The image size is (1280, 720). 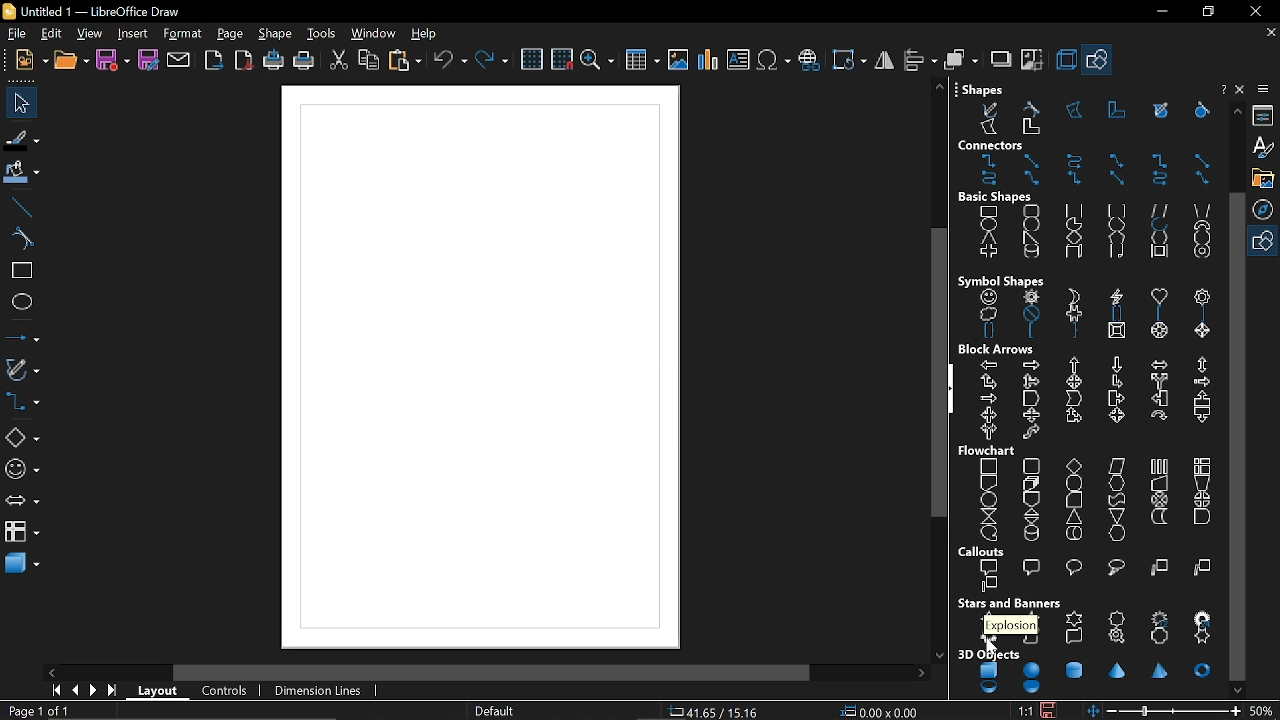 I want to click on Basic shapes, so click(x=1099, y=62).